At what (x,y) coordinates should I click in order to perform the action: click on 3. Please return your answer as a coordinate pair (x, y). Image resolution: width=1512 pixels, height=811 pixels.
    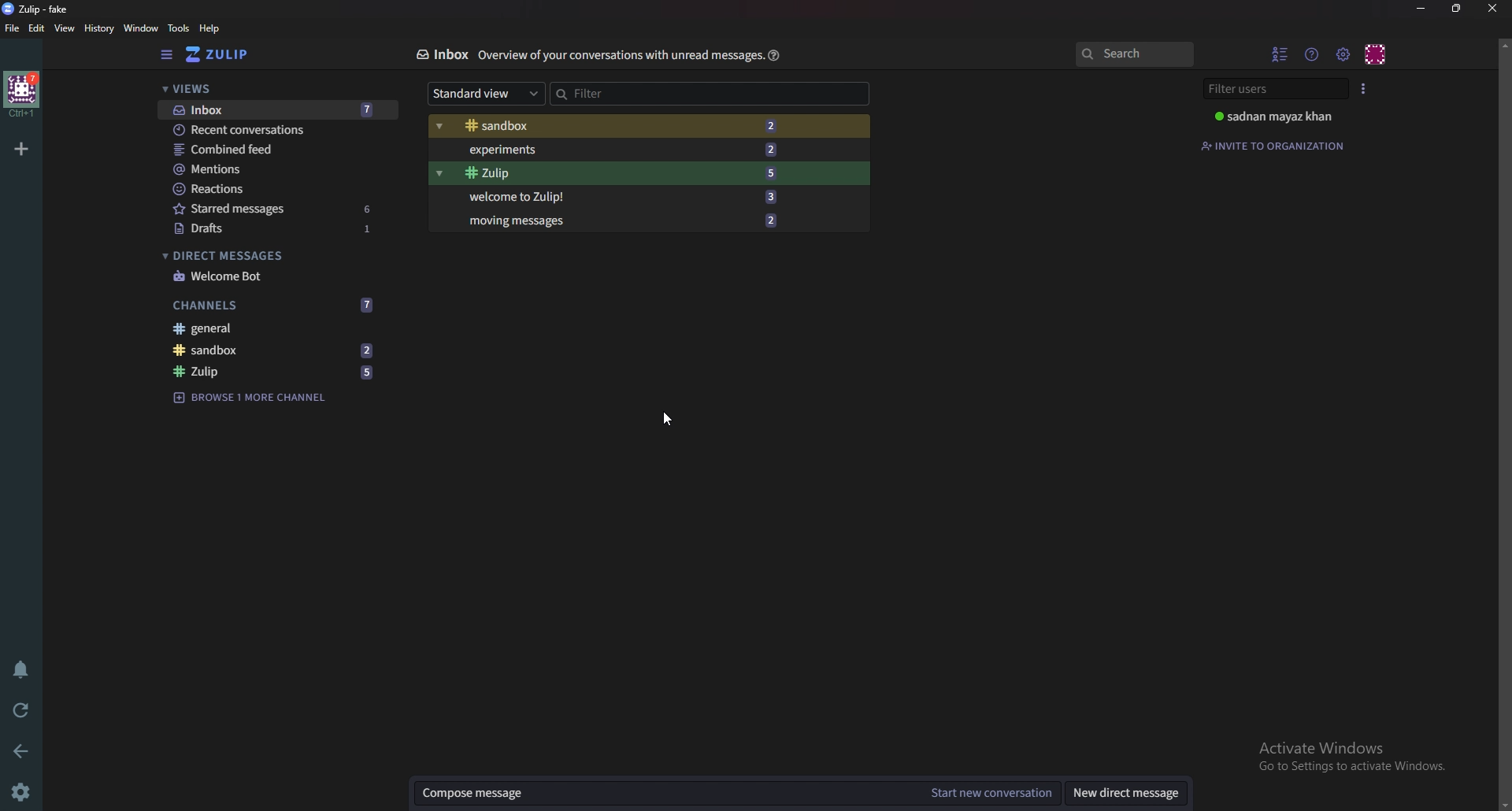
    Looking at the image, I should click on (777, 198).